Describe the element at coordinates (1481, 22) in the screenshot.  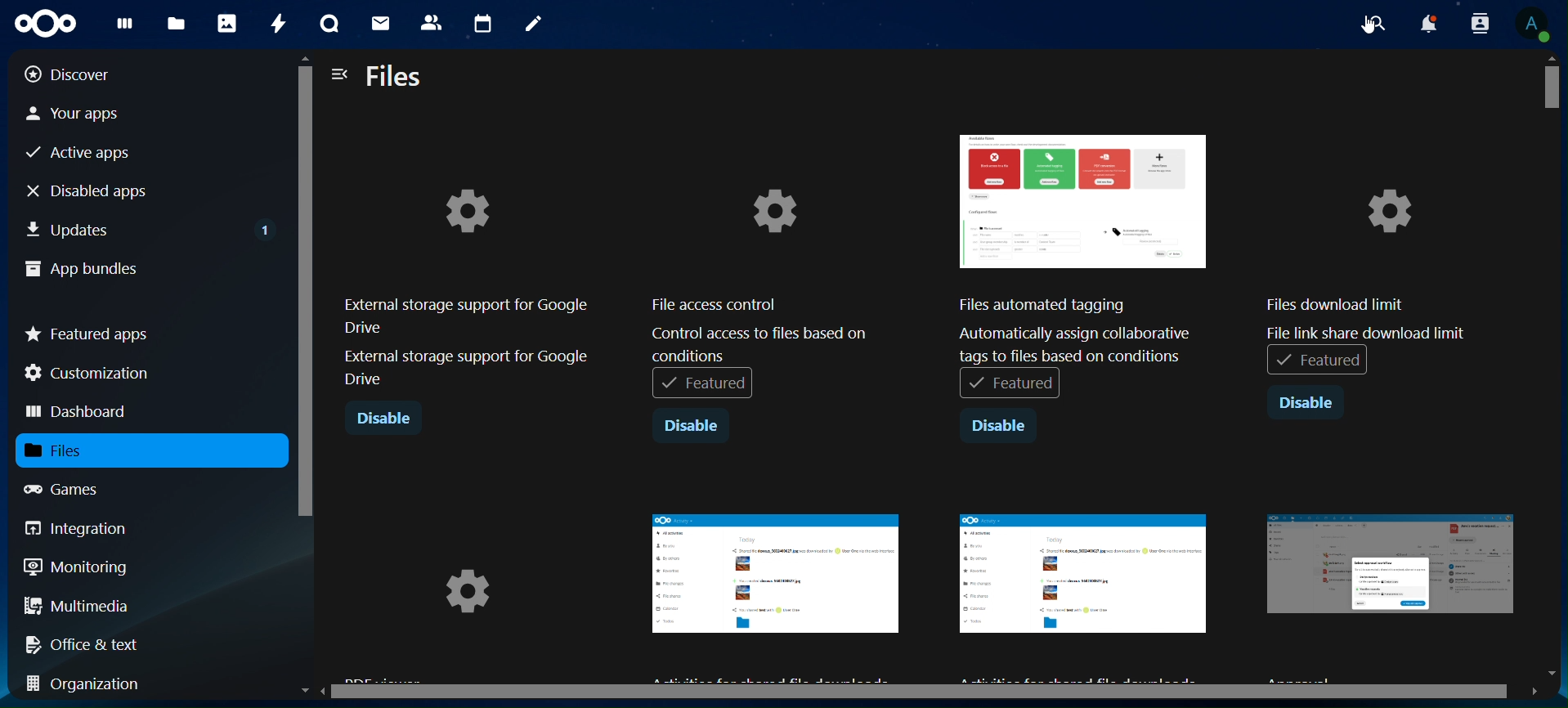
I see `search profile` at that location.